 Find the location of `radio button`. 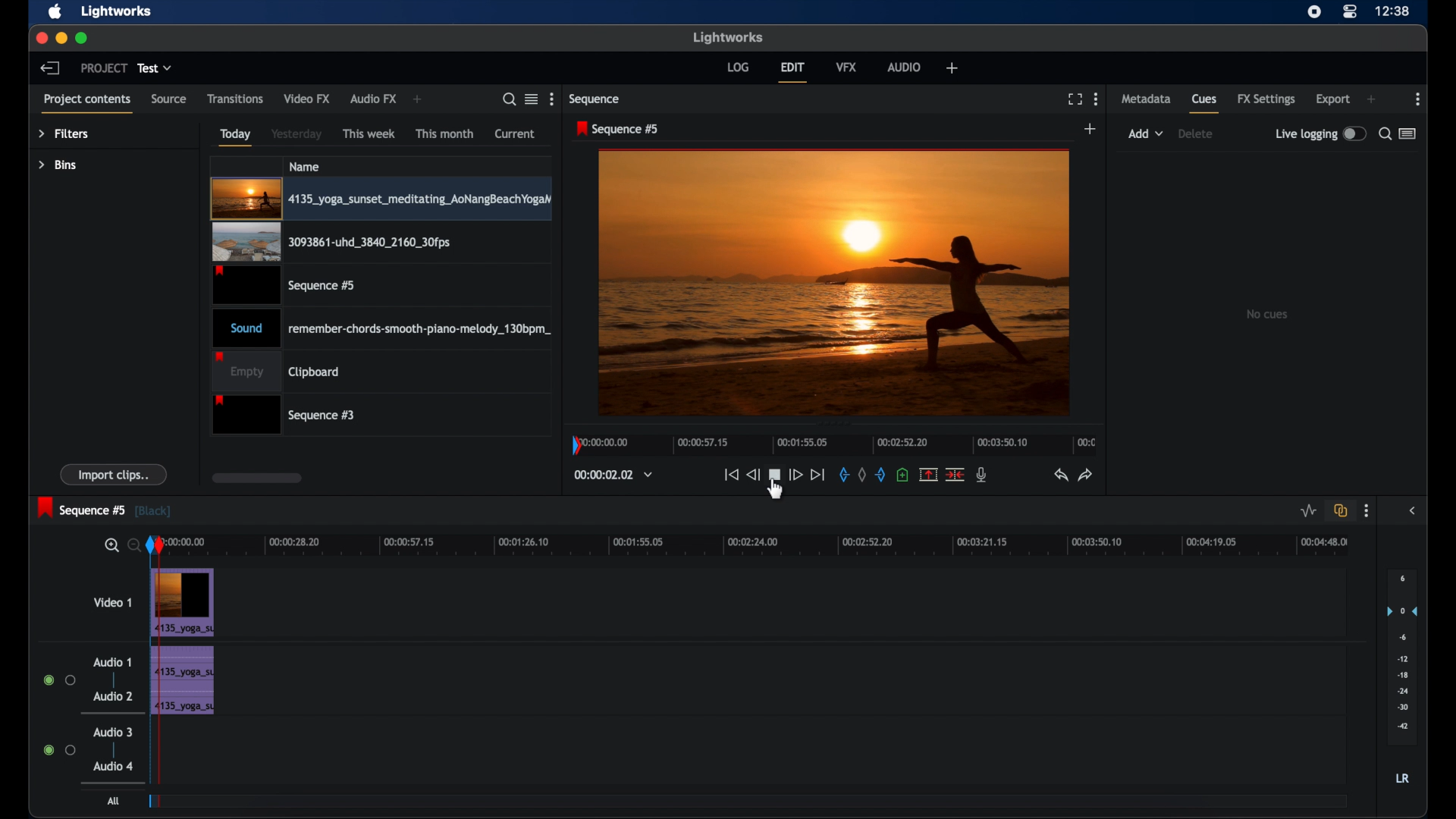

radio button is located at coordinates (59, 750).